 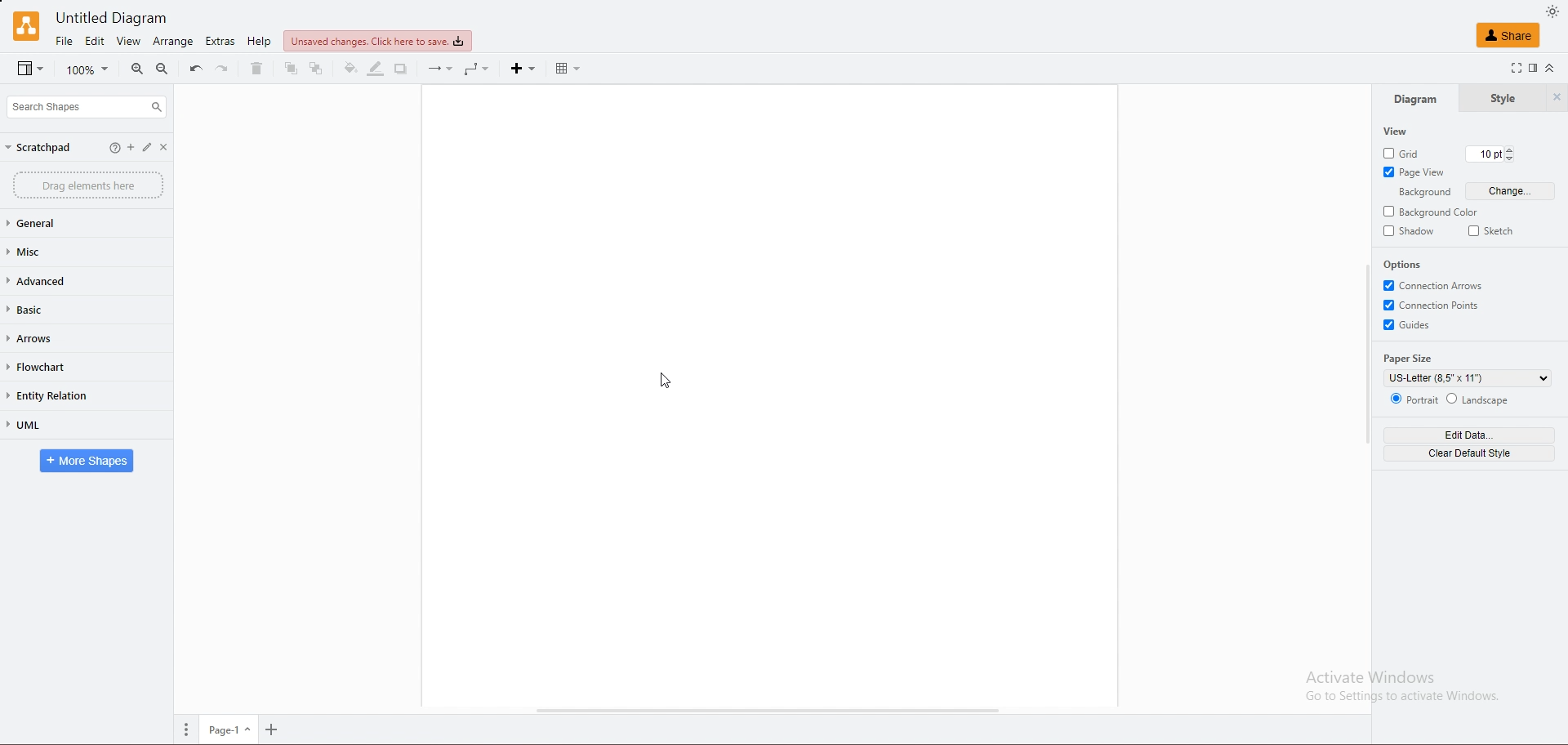 I want to click on close, so click(x=169, y=148).